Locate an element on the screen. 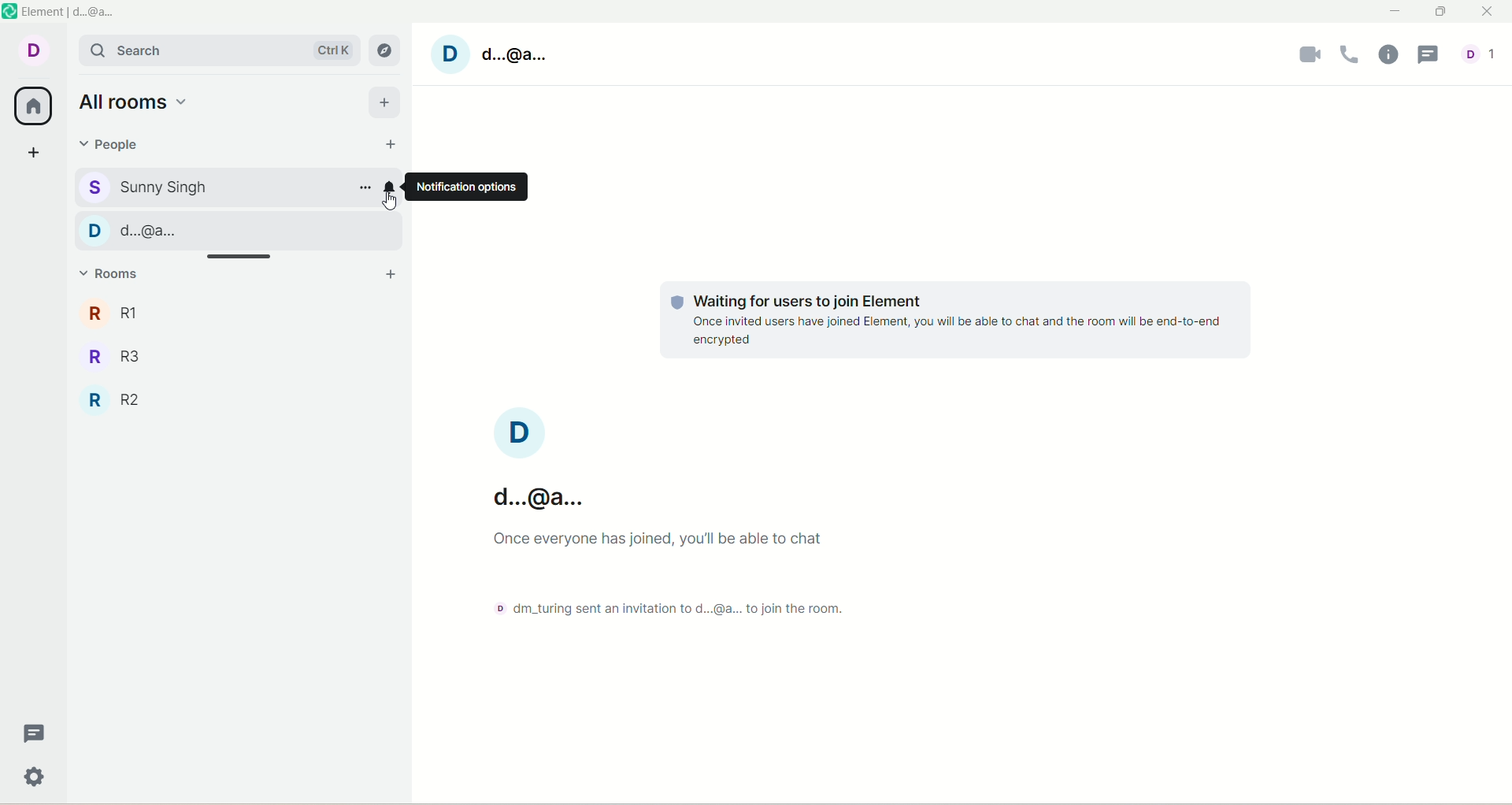 The width and height of the screenshot is (1512, 805). search is located at coordinates (218, 50).